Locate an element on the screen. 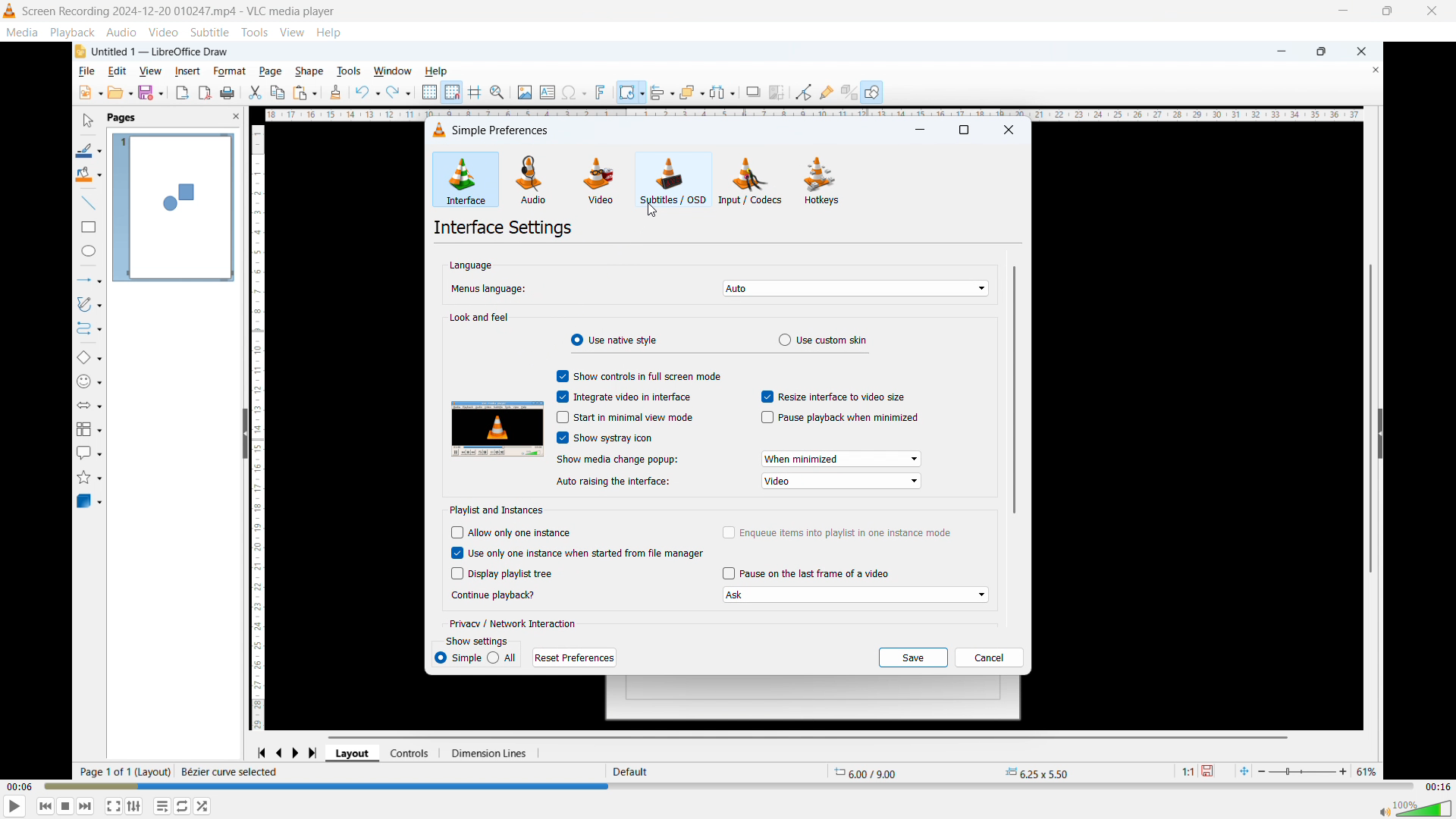 The image size is (1456, 819). Playback continuing options  is located at coordinates (854, 595).